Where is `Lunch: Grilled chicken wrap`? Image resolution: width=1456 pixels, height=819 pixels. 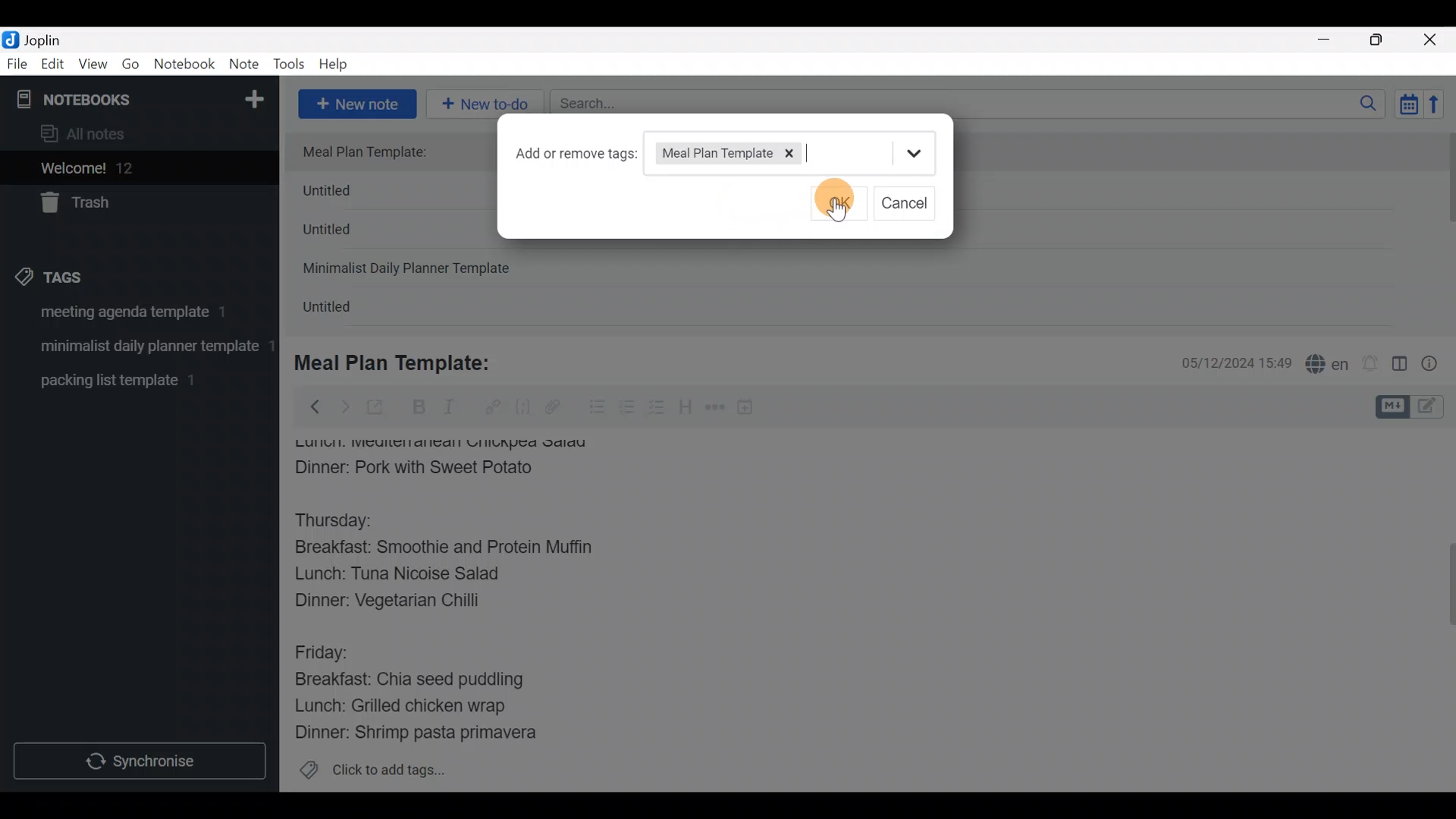
Lunch: Grilled chicken wrap is located at coordinates (399, 705).